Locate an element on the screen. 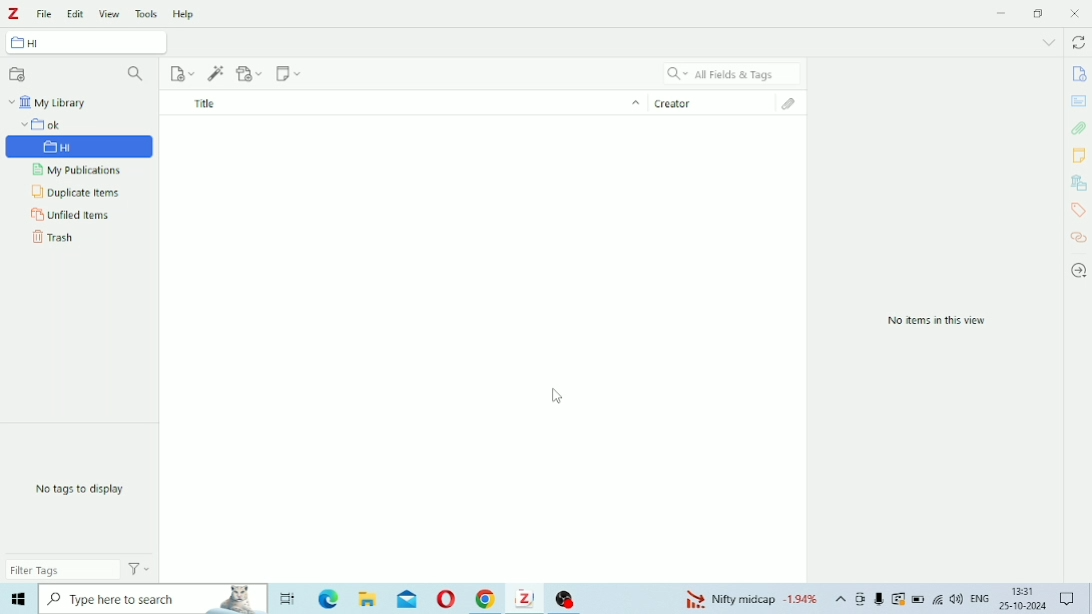  Tags is located at coordinates (1078, 210).